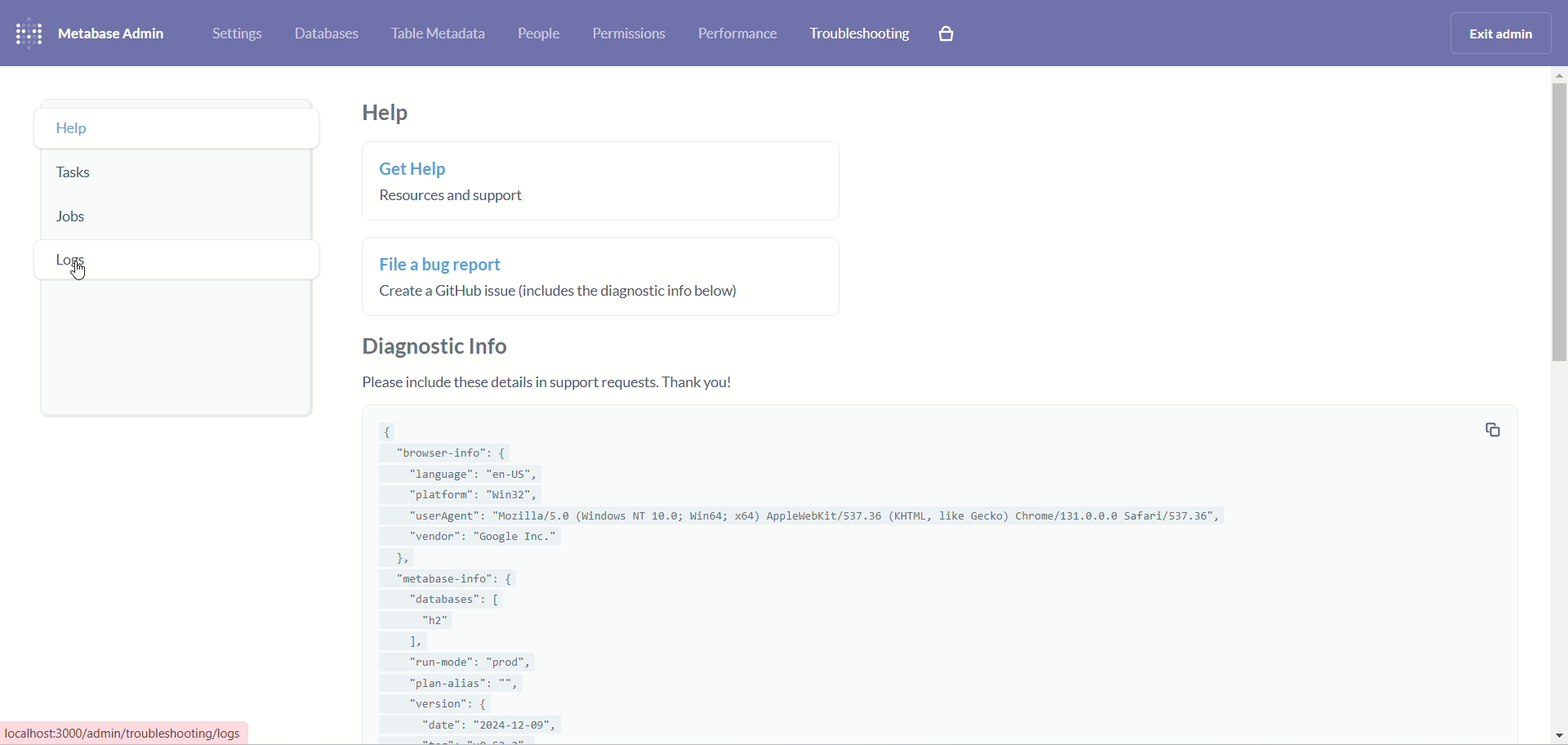  What do you see at coordinates (28, 33) in the screenshot?
I see `logo` at bounding box center [28, 33].